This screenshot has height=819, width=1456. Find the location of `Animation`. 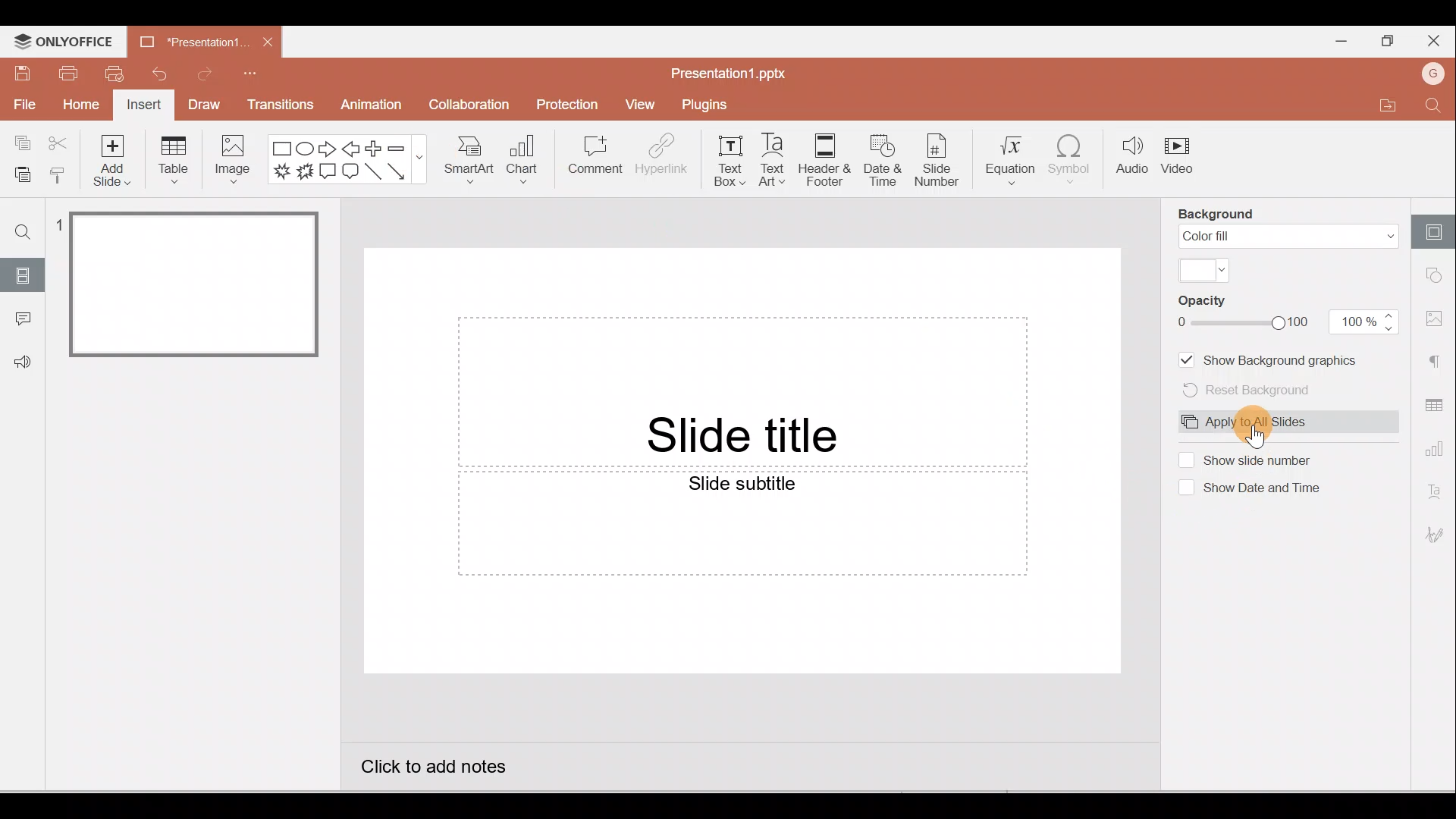

Animation is located at coordinates (368, 105).